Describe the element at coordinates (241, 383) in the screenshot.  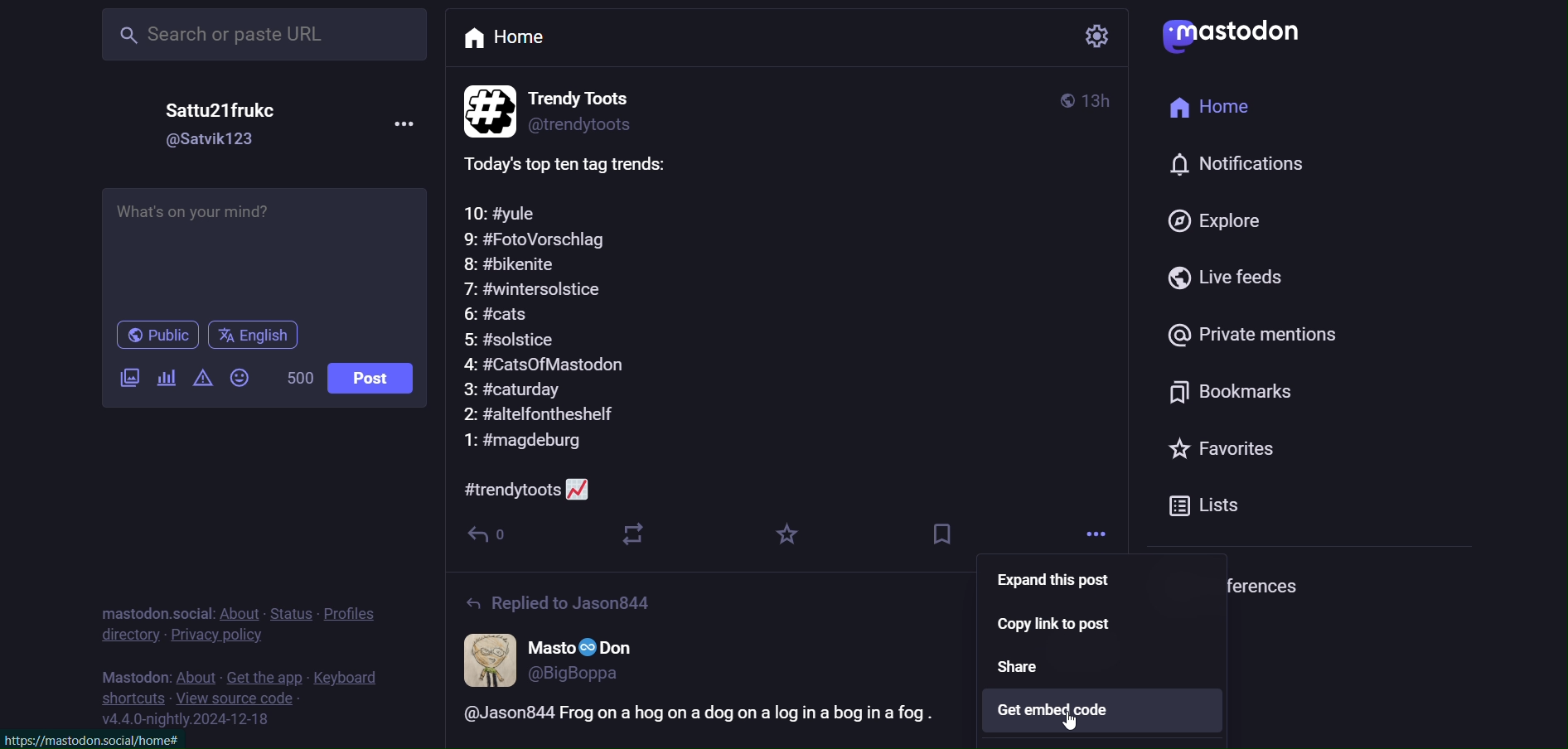
I see `emoji` at that location.